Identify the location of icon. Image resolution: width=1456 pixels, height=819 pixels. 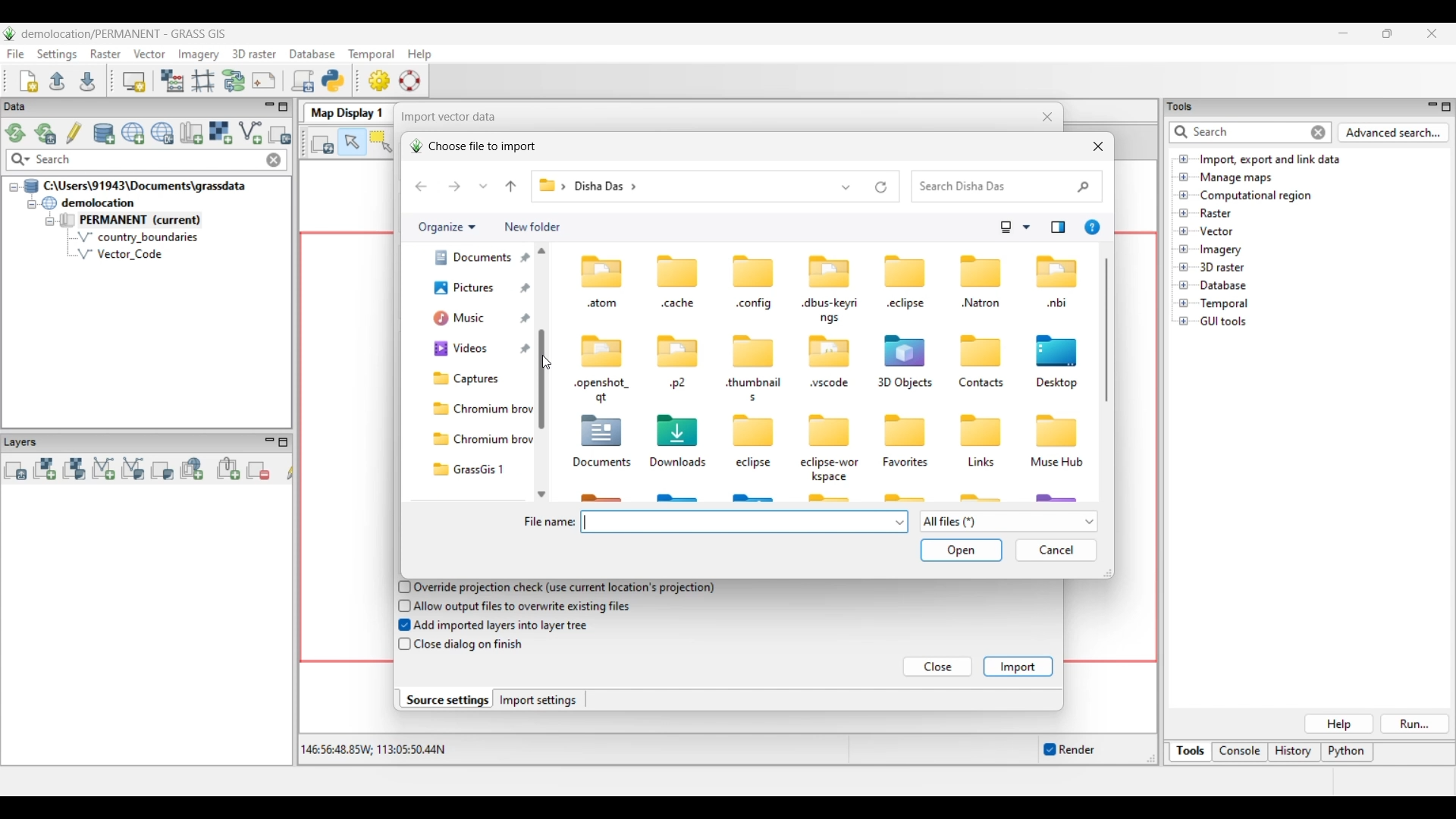
(1057, 350).